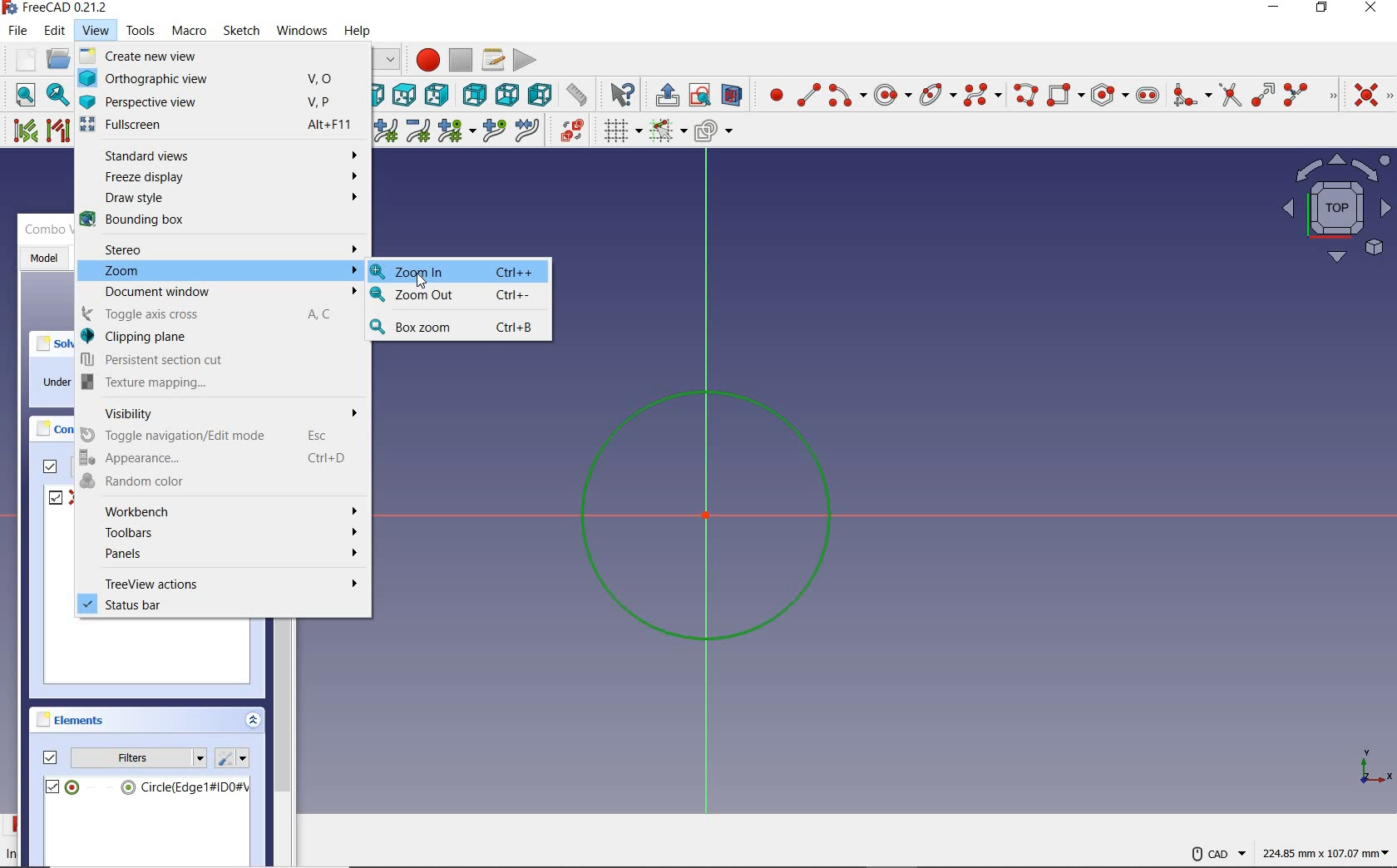 This screenshot has width=1397, height=868. What do you see at coordinates (538, 93) in the screenshot?
I see `left` at bounding box center [538, 93].